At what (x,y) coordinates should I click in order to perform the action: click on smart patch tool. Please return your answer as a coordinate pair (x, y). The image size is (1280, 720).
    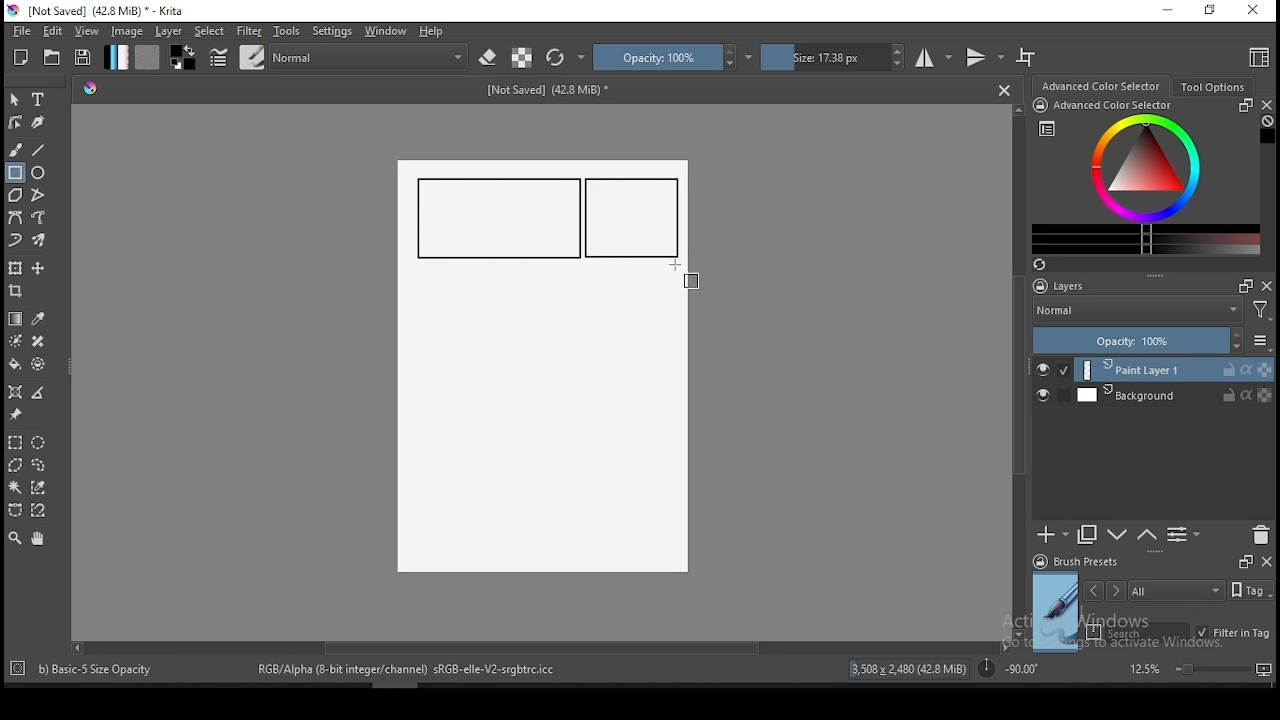
    Looking at the image, I should click on (38, 341).